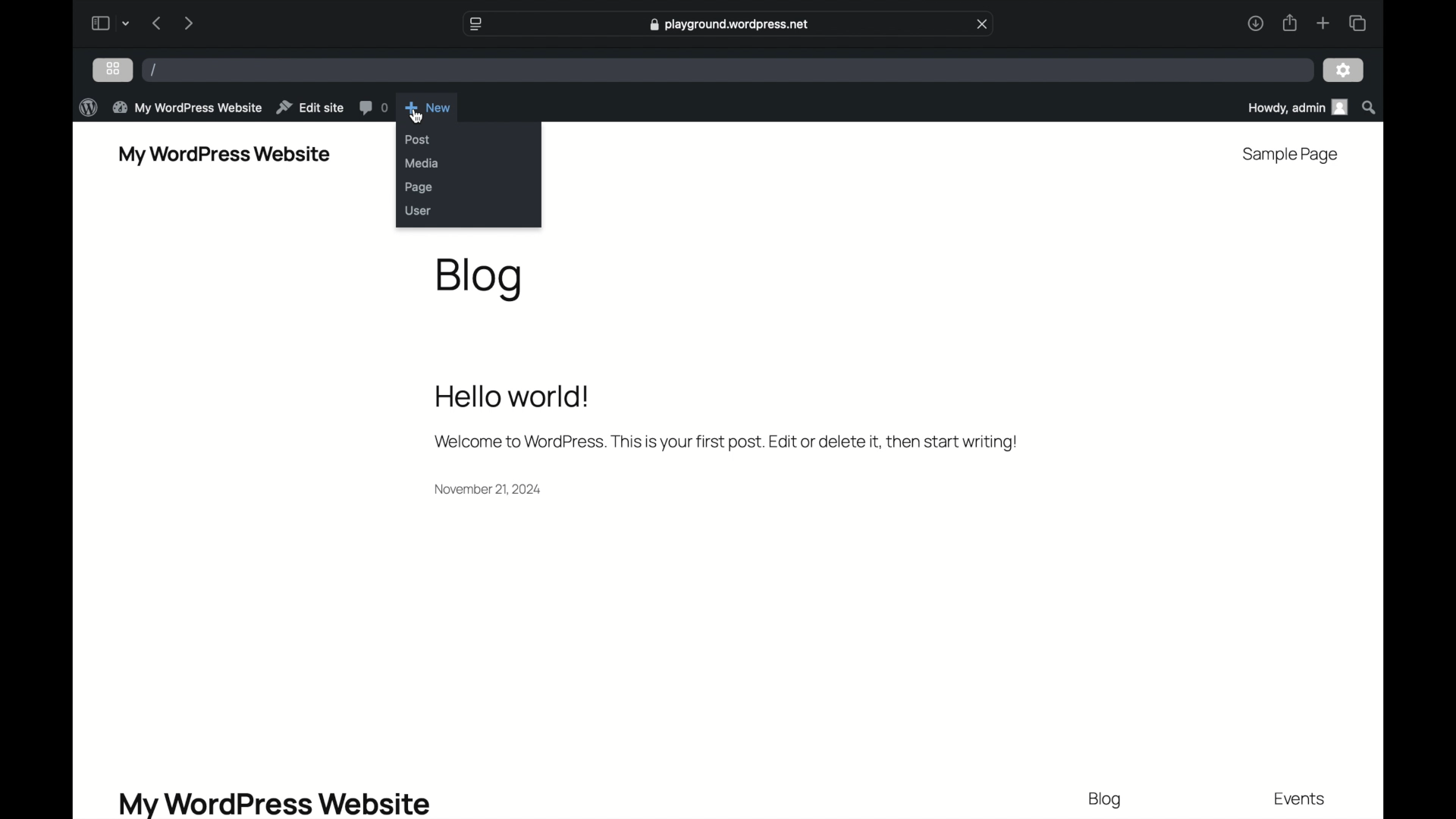 The image size is (1456, 819). What do you see at coordinates (420, 188) in the screenshot?
I see `page` at bounding box center [420, 188].